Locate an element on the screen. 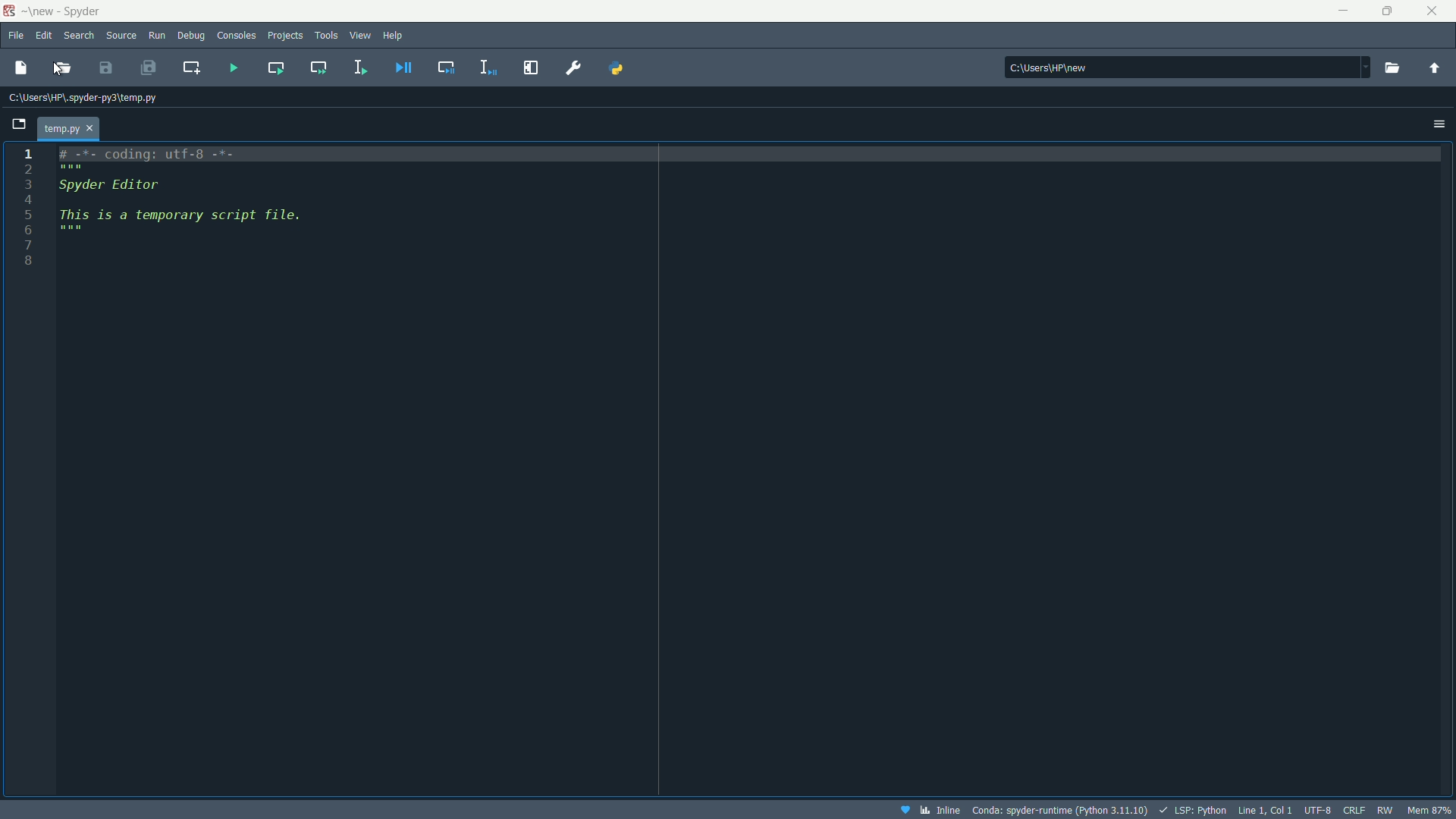 Image resolution: width=1456 pixels, height=819 pixels. Cursor is located at coordinates (59, 71).